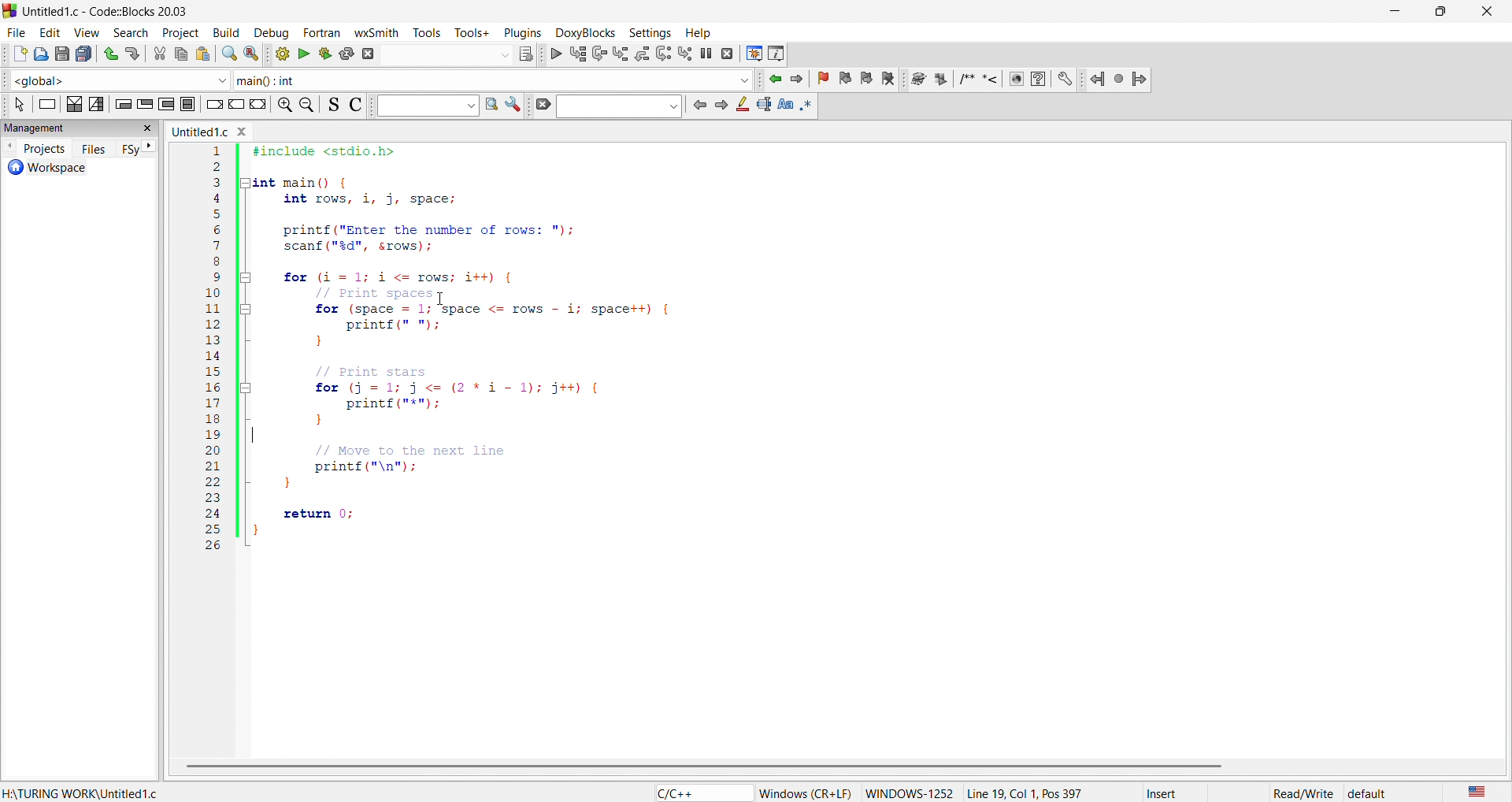 Image resolution: width=1512 pixels, height=802 pixels. What do you see at coordinates (197, 131) in the screenshot?
I see `untitled1.c` at bounding box center [197, 131].